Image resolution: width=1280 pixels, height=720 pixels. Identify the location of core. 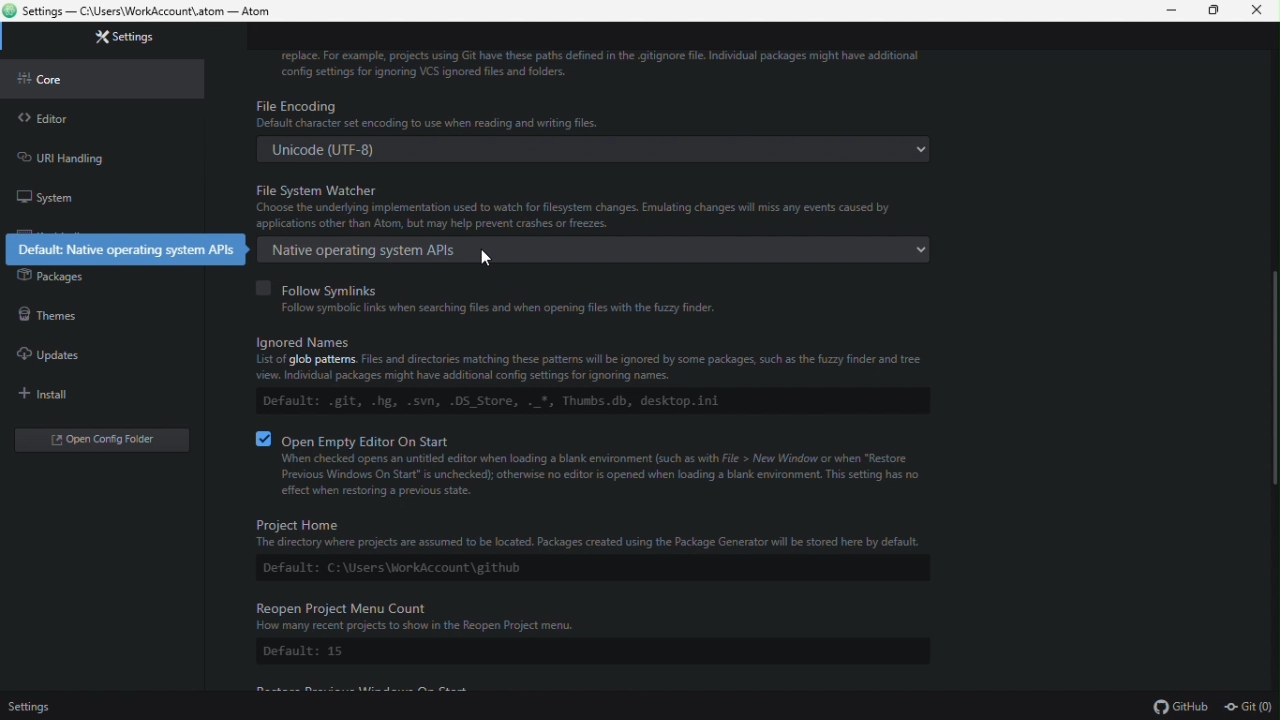
(43, 80).